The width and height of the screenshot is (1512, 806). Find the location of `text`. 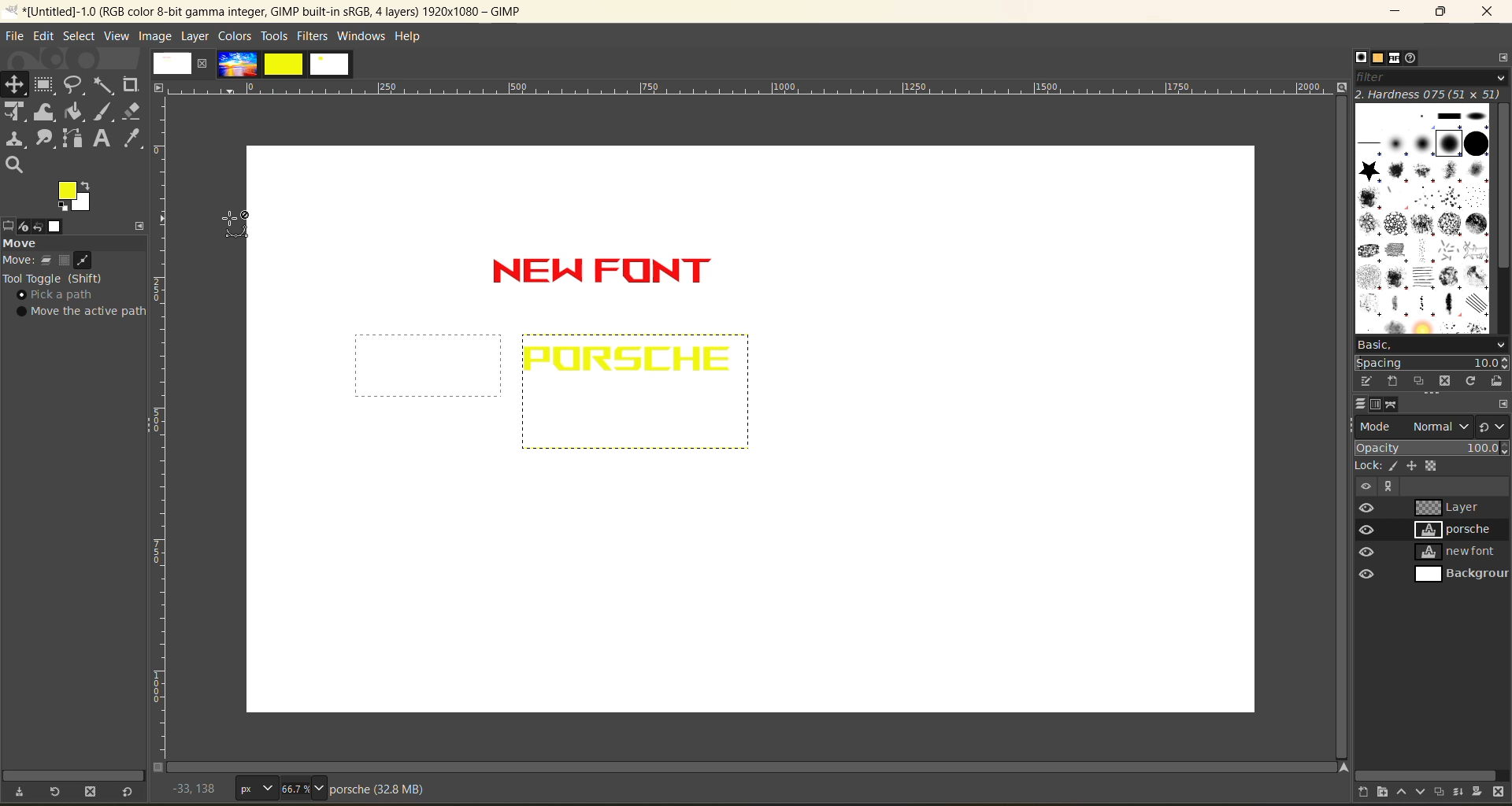

text is located at coordinates (102, 139).